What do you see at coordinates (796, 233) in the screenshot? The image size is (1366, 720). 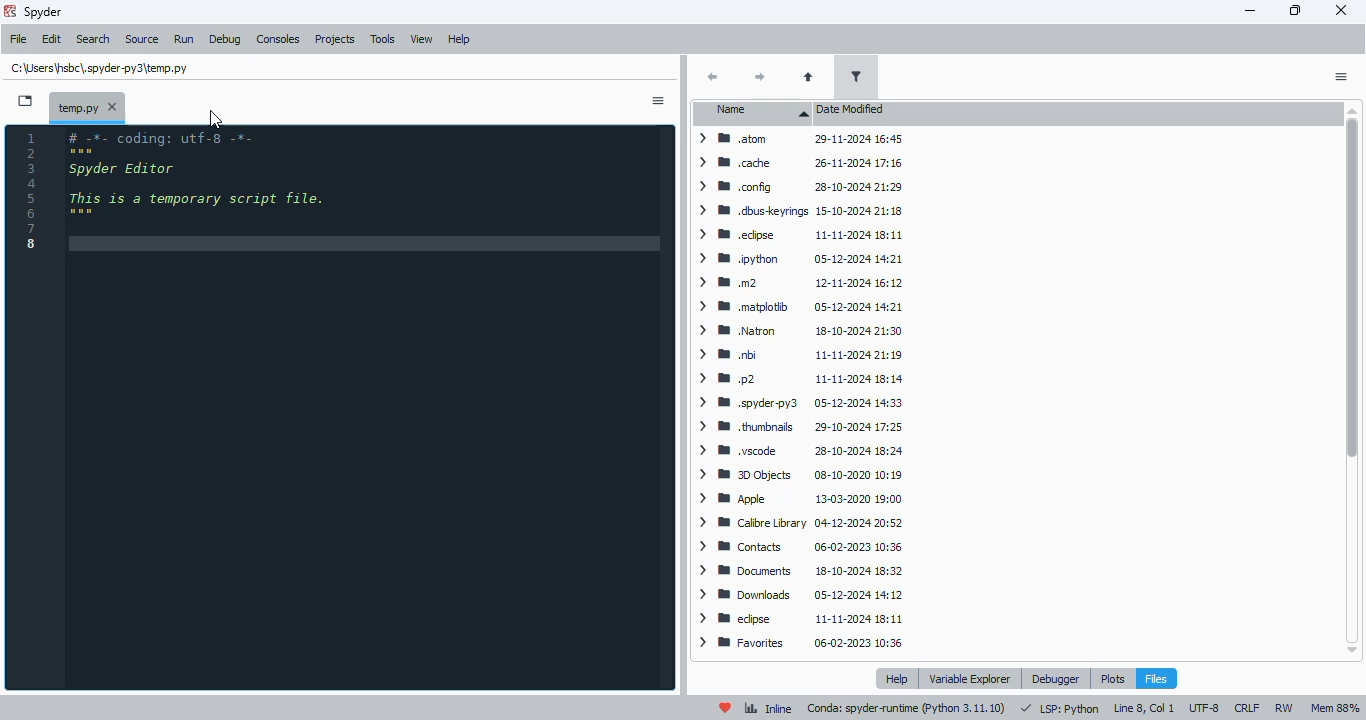 I see `> W .edipse 11-11-2024 18:11` at bounding box center [796, 233].